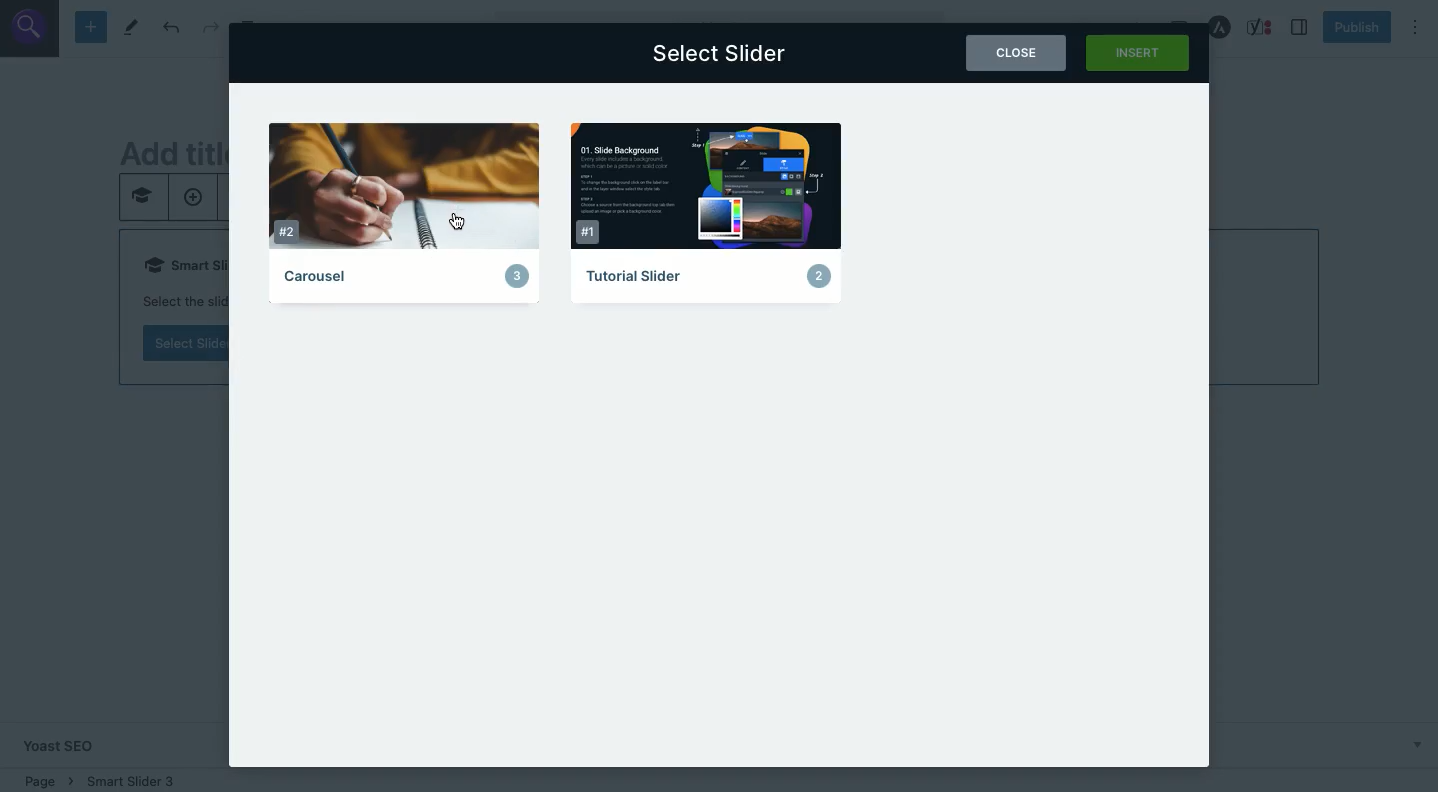 This screenshot has width=1438, height=792. What do you see at coordinates (709, 212) in the screenshot?
I see `Tutorial slider` at bounding box center [709, 212].